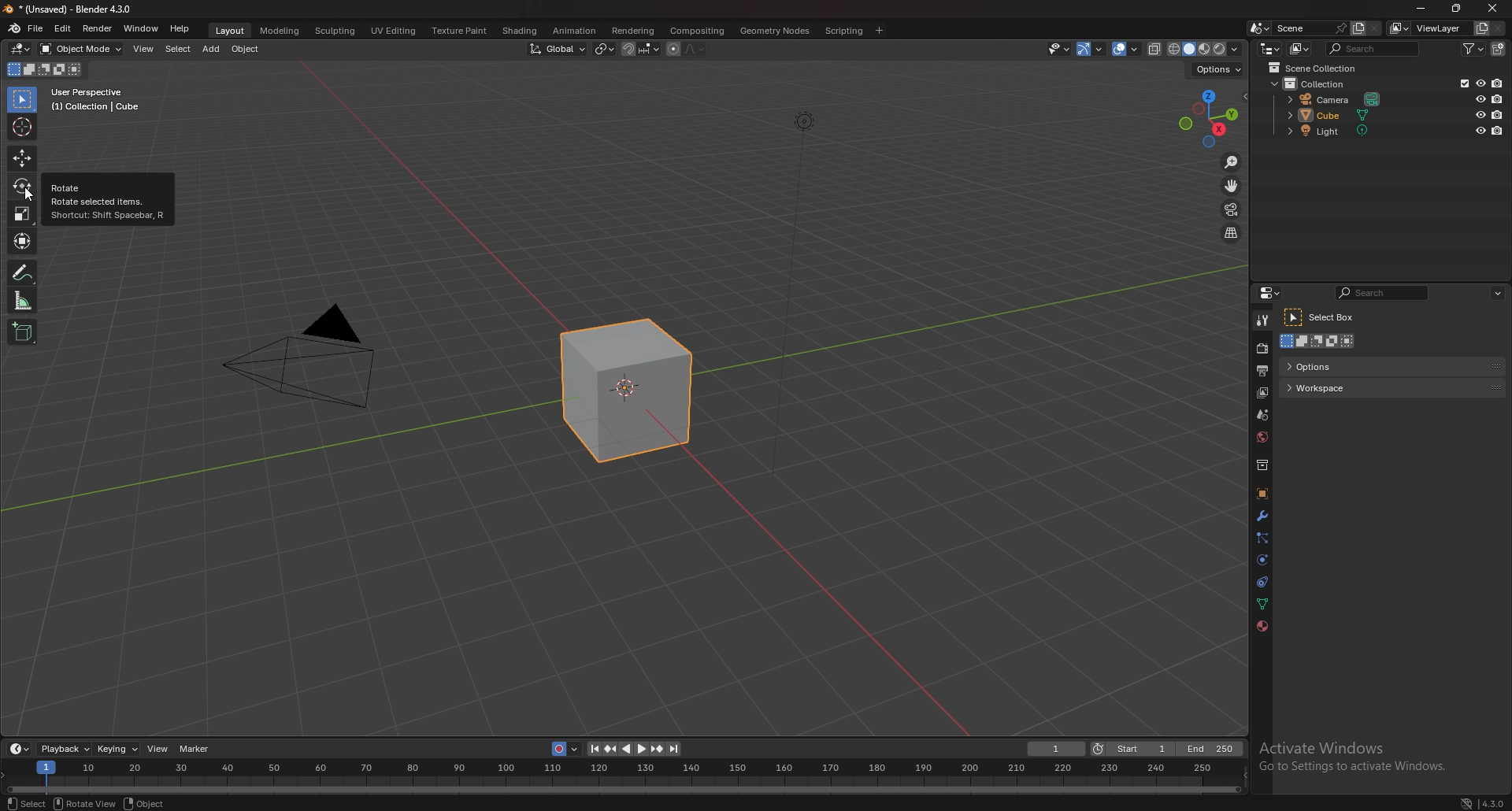 The width and height of the screenshot is (1512, 811). What do you see at coordinates (519, 30) in the screenshot?
I see `shading` at bounding box center [519, 30].